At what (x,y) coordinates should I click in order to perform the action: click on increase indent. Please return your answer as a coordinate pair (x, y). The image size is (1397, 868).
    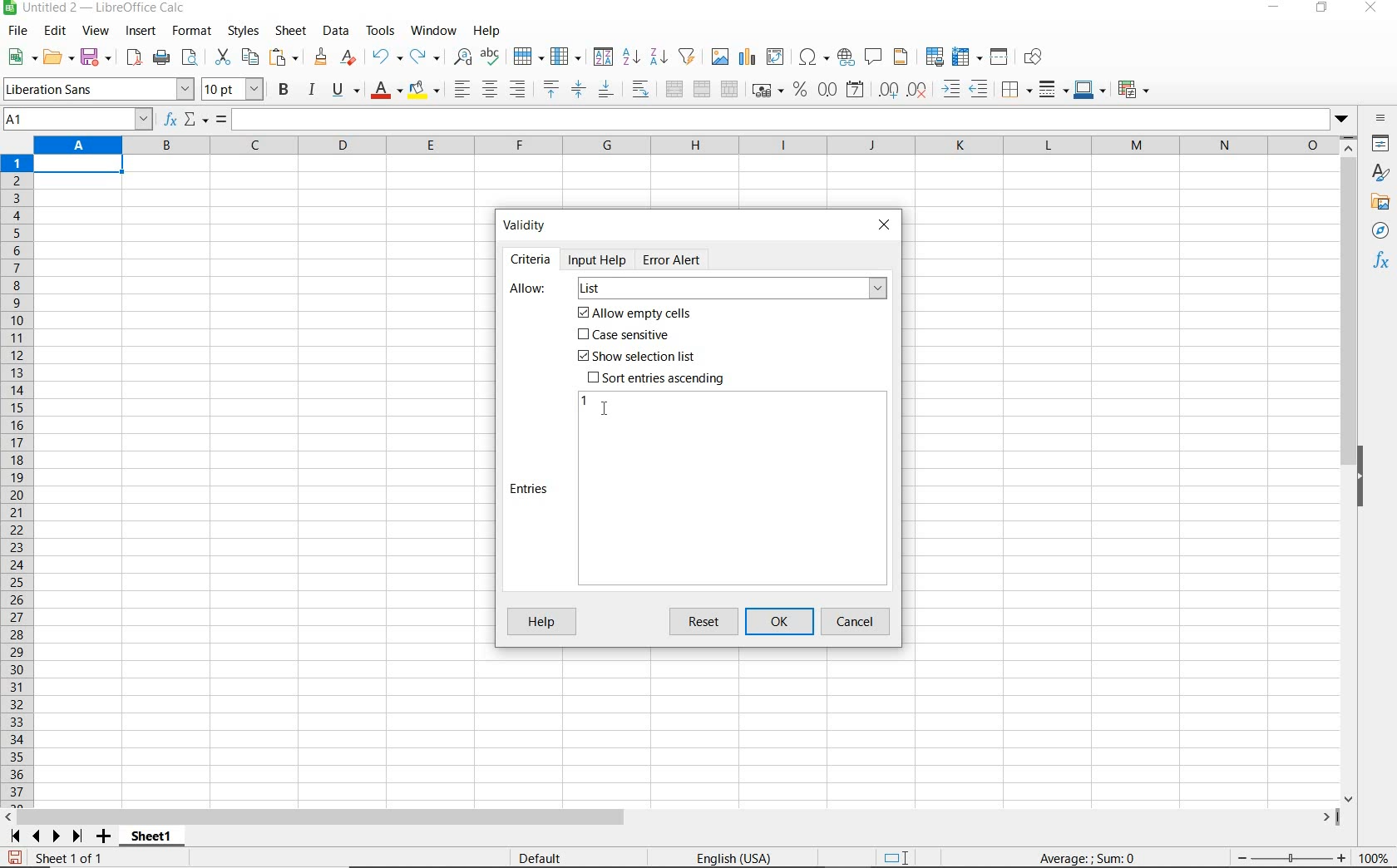
    Looking at the image, I should click on (952, 89).